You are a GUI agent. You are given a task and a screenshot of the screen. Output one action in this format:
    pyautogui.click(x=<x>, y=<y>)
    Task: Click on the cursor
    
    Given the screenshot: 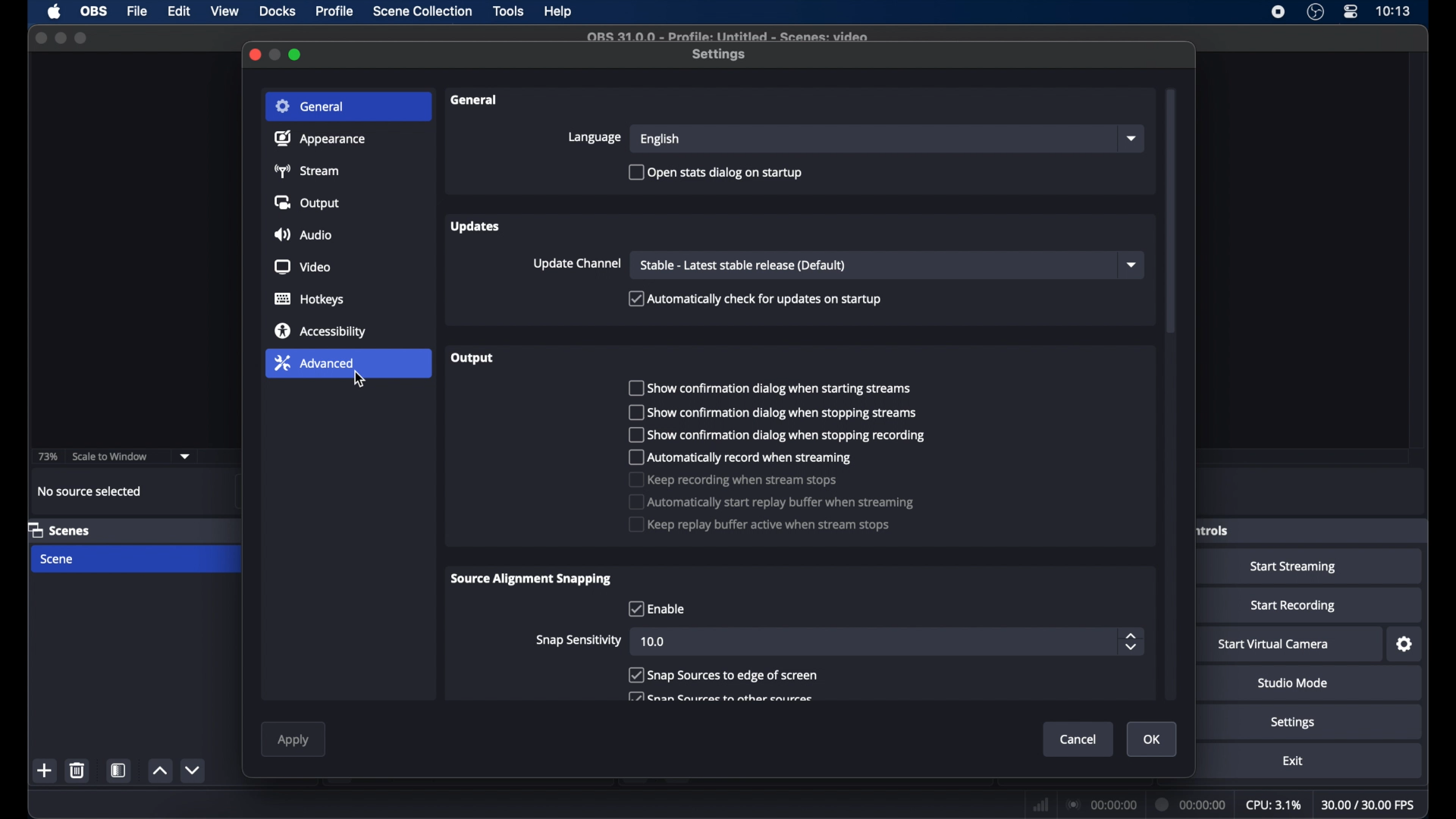 What is the action you would take?
    pyautogui.click(x=359, y=381)
    